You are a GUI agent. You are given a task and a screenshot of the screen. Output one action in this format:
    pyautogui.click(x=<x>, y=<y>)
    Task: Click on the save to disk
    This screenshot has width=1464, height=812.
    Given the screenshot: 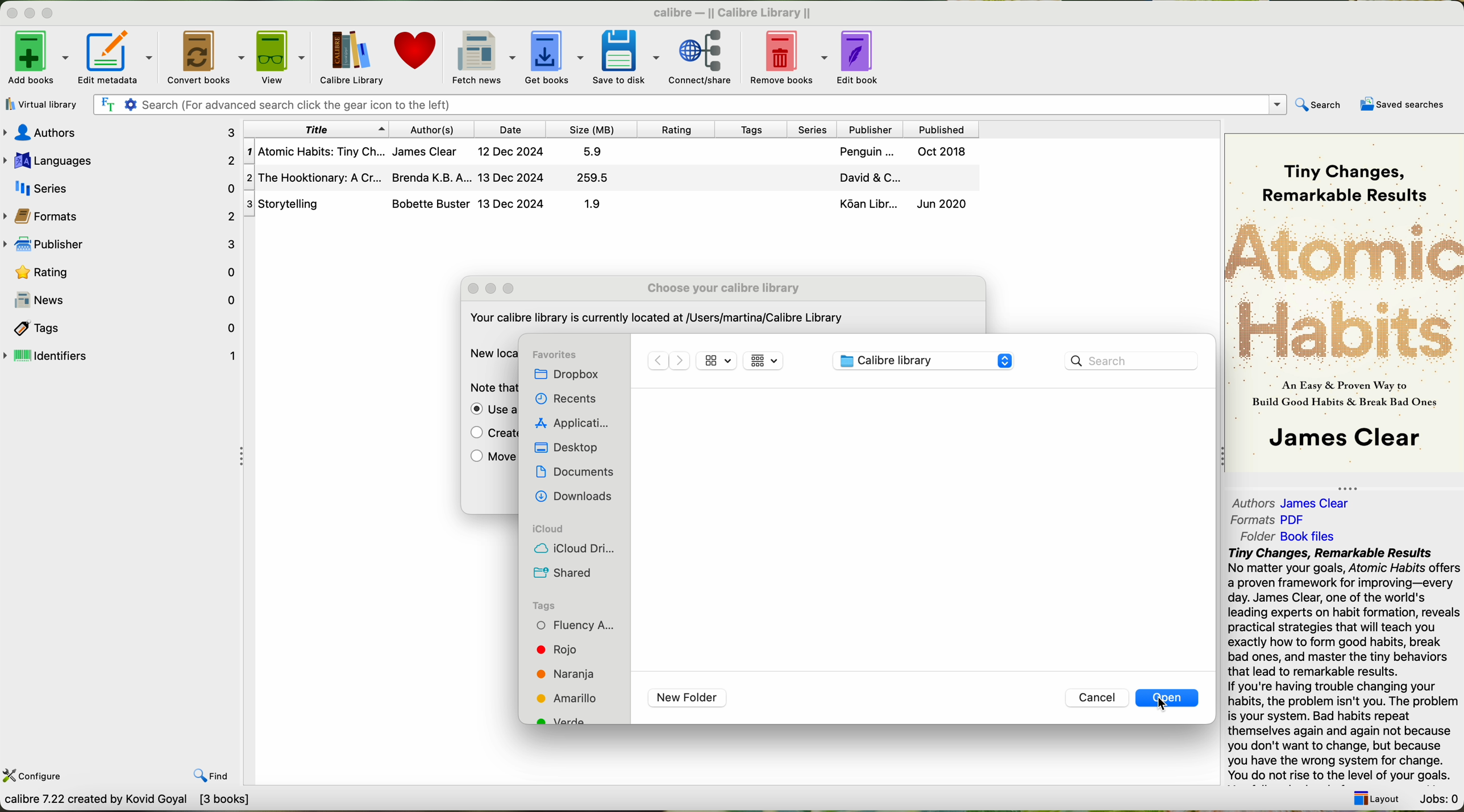 What is the action you would take?
    pyautogui.click(x=626, y=56)
    